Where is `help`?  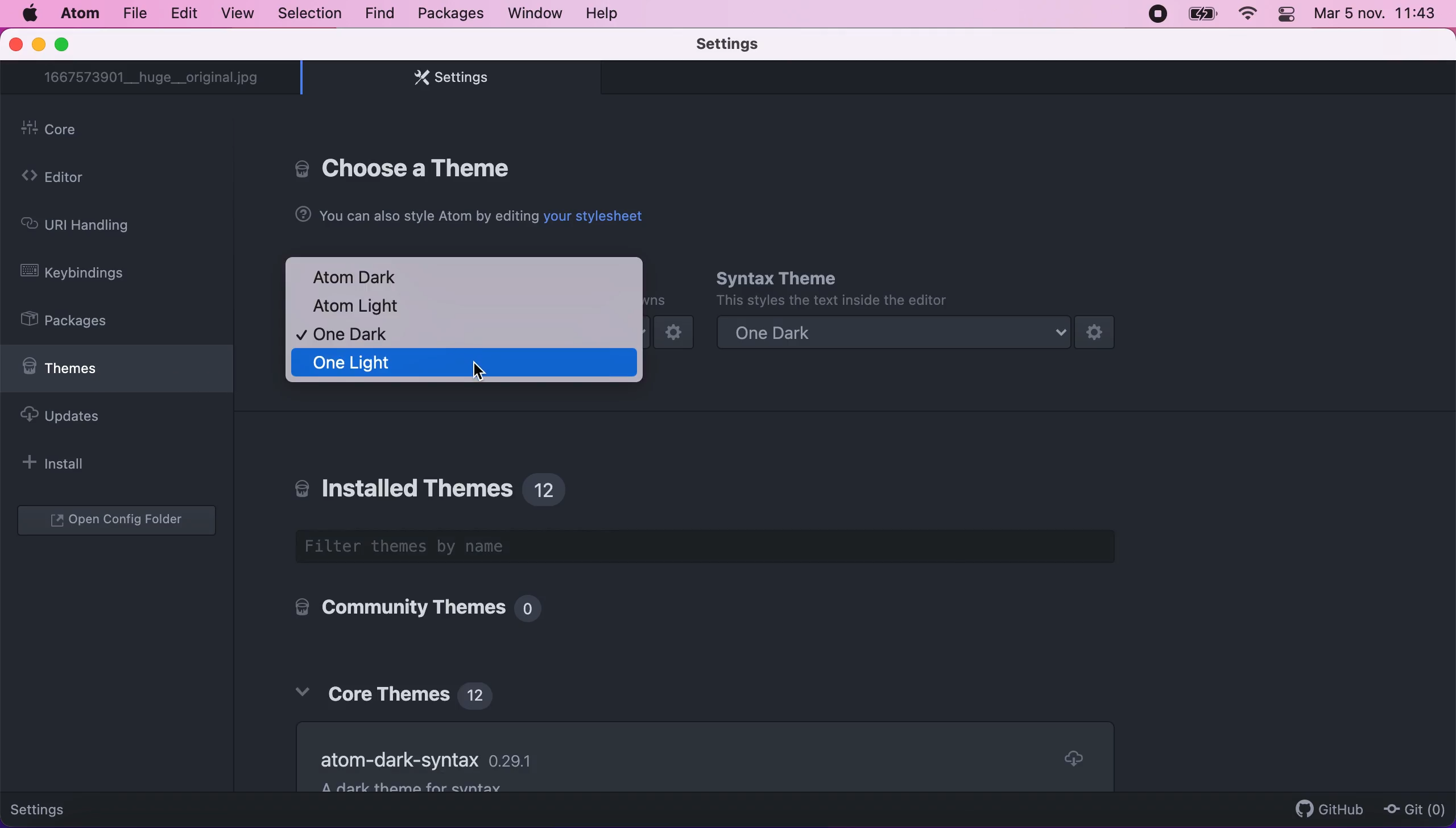 help is located at coordinates (609, 15).